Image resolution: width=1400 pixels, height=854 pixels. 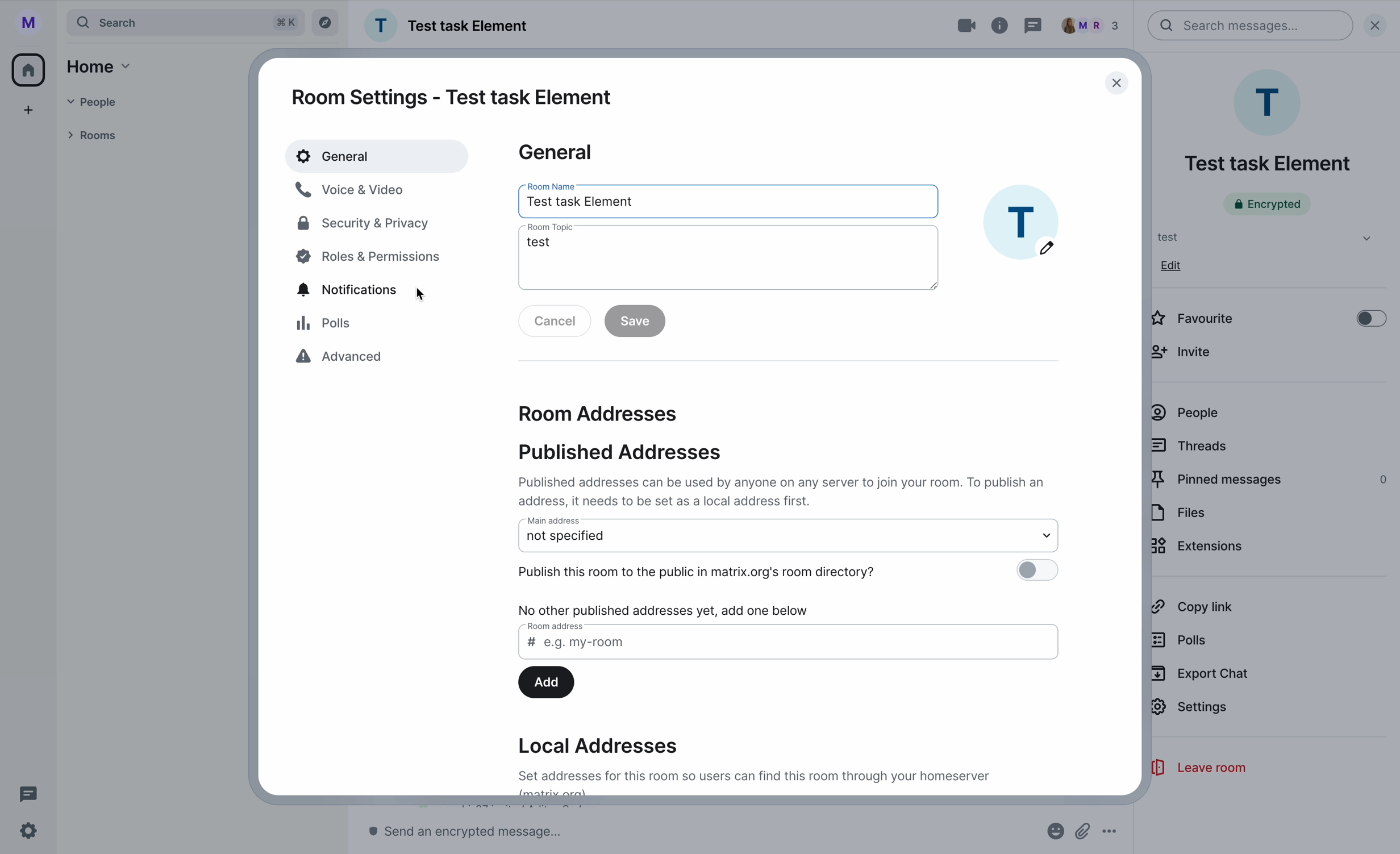 What do you see at coordinates (186, 22) in the screenshot?
I see `search bar` at bounding box center [186, 22].